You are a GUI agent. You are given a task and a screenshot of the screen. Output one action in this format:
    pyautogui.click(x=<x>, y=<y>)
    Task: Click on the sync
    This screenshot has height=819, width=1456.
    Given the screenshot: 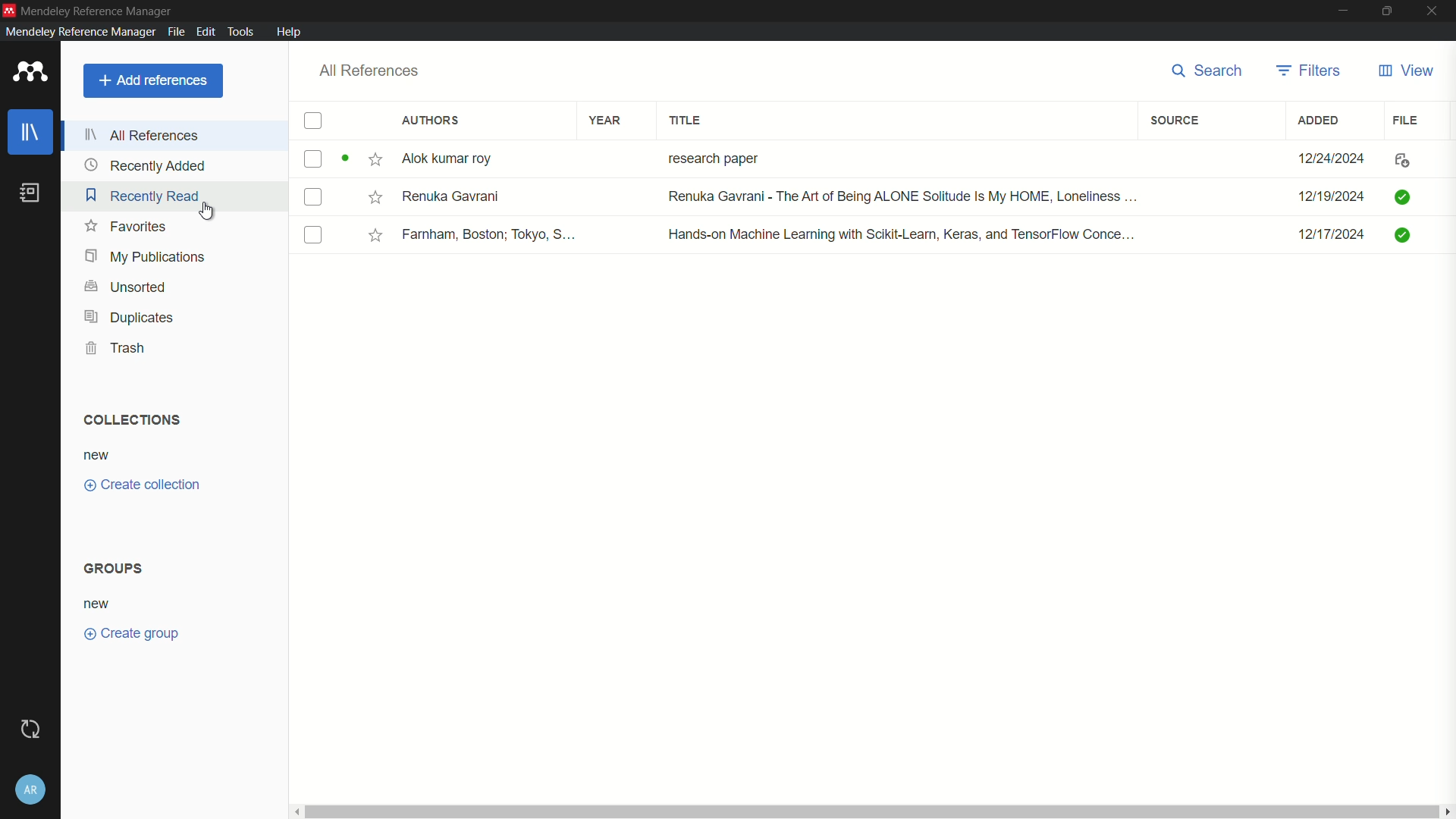 What is the action you would take?
    pyautogui.click(x=31, y=730)
    